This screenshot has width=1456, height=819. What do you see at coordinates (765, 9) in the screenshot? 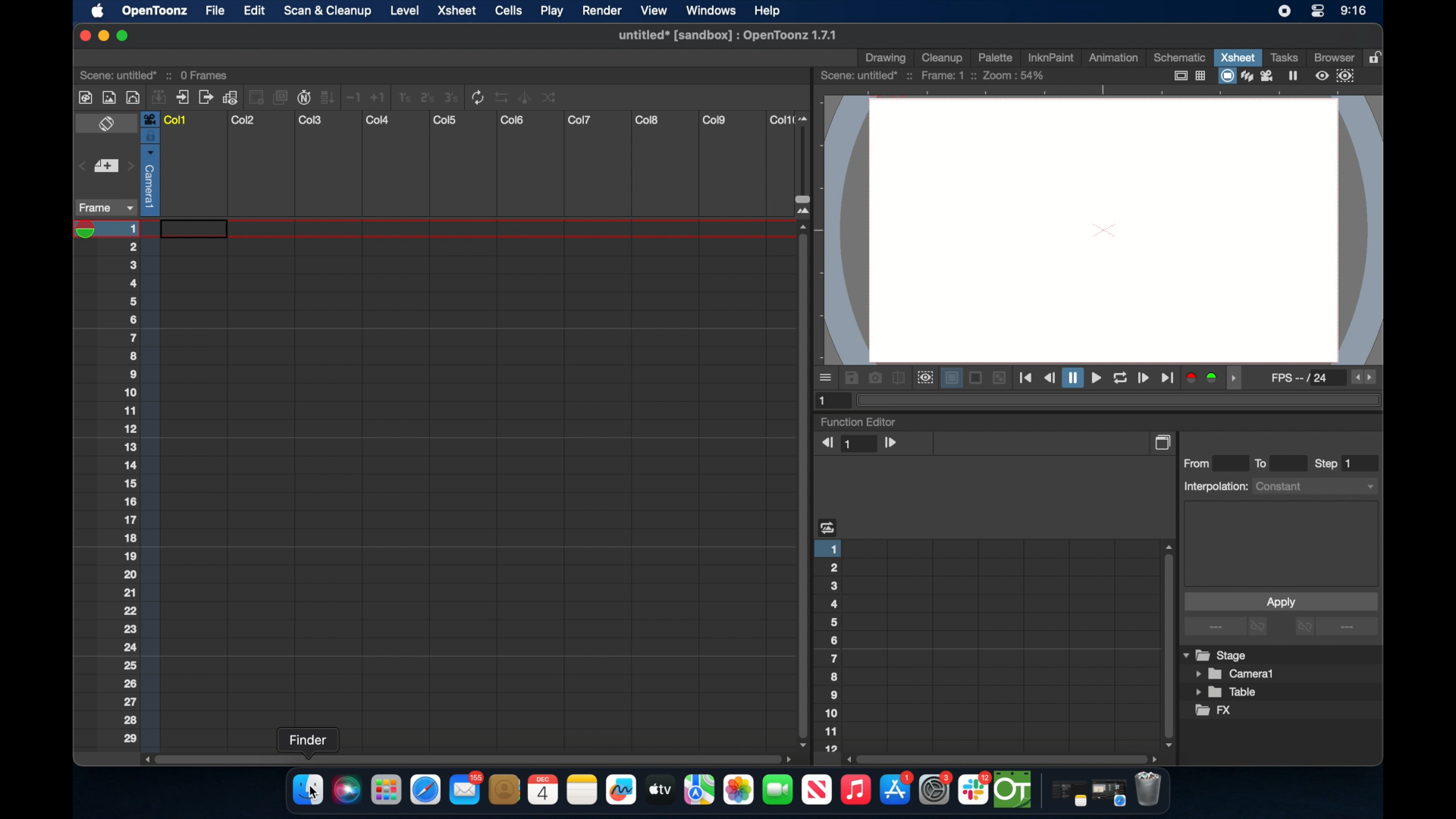
I see `help` at bounding box center [765, 9].